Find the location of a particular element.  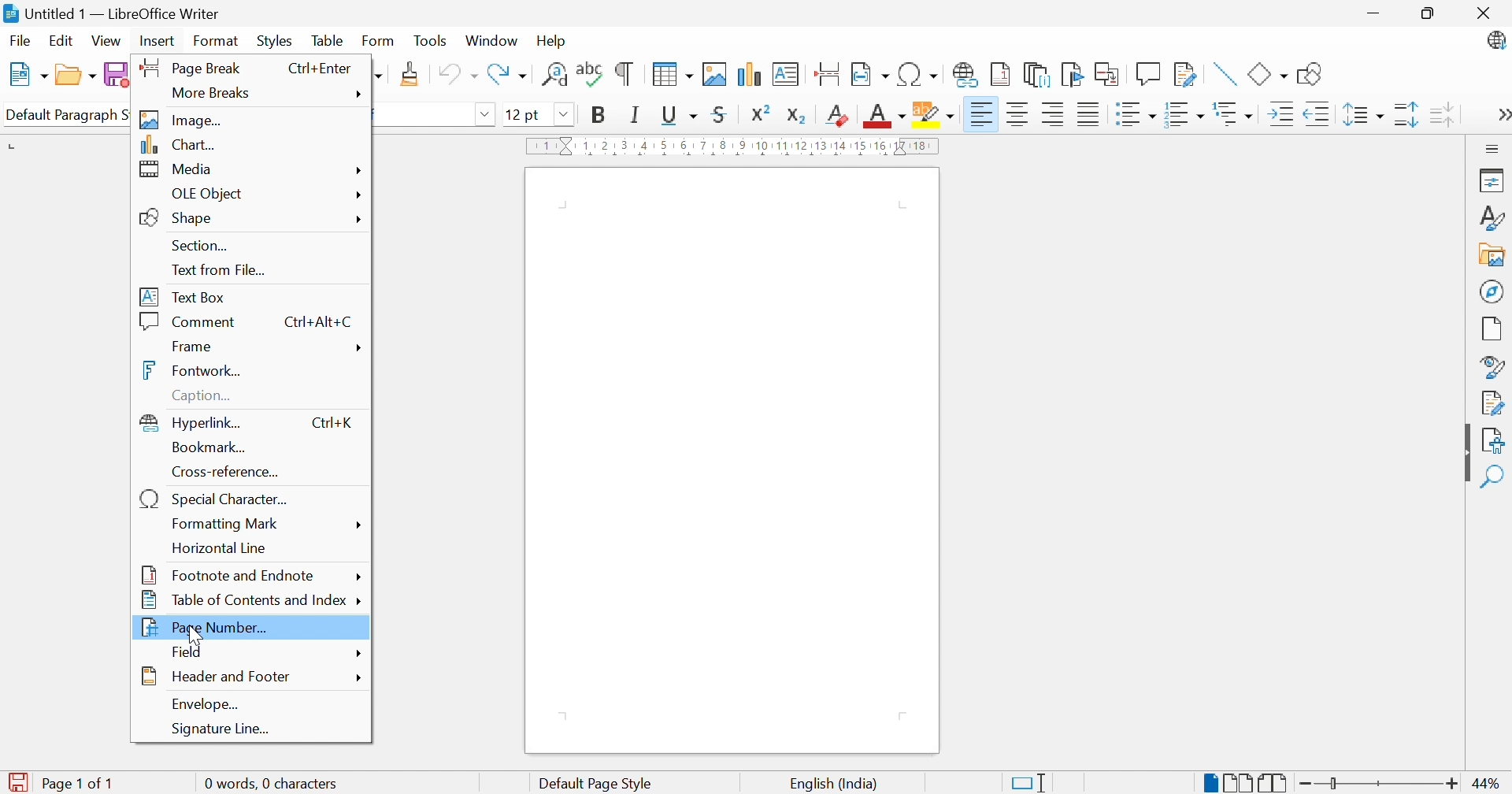

Restore down is located at coordinates (1432, 13).